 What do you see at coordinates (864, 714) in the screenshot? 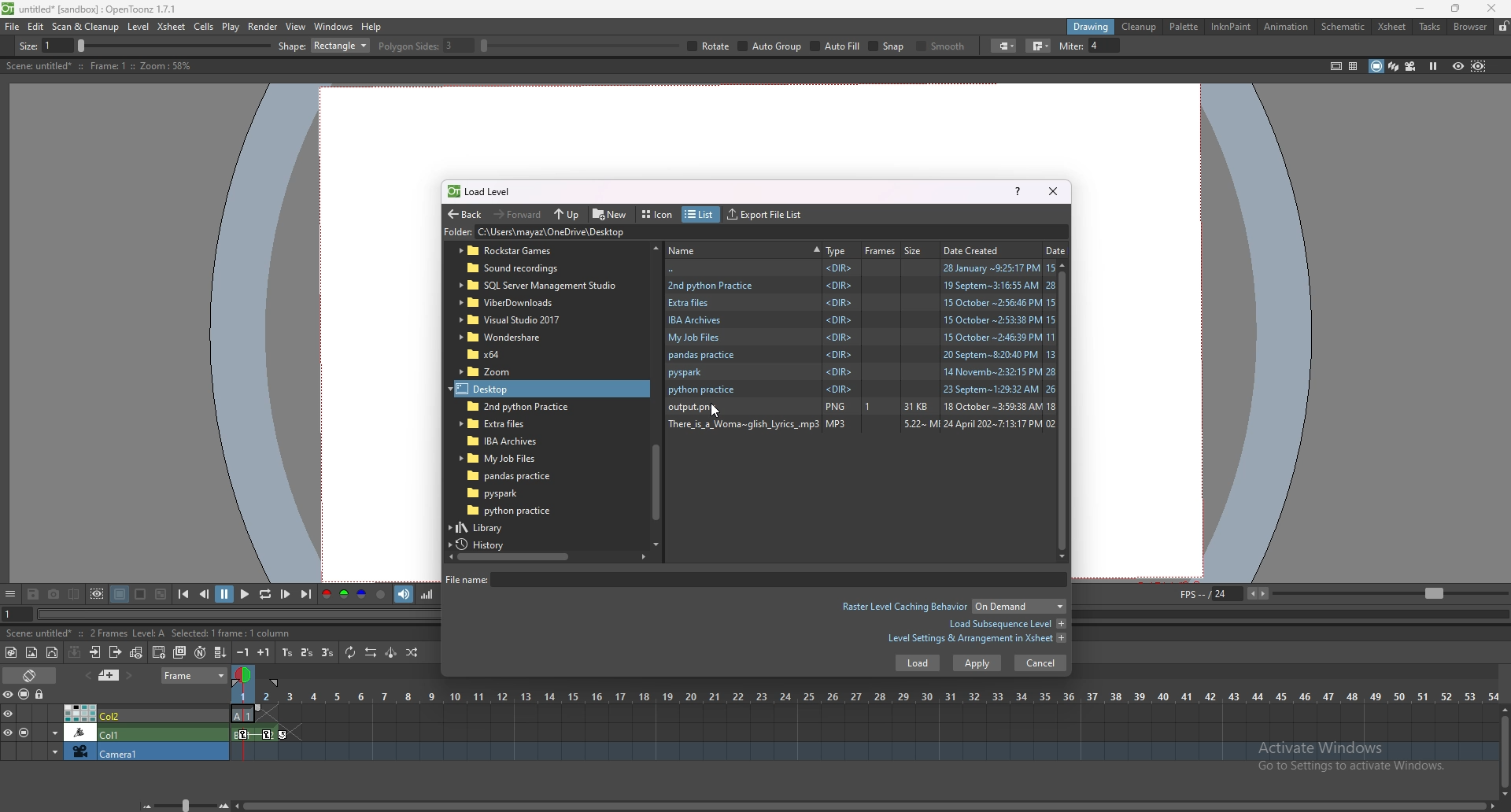
I see `timeline` at bounding box center [864, 714].